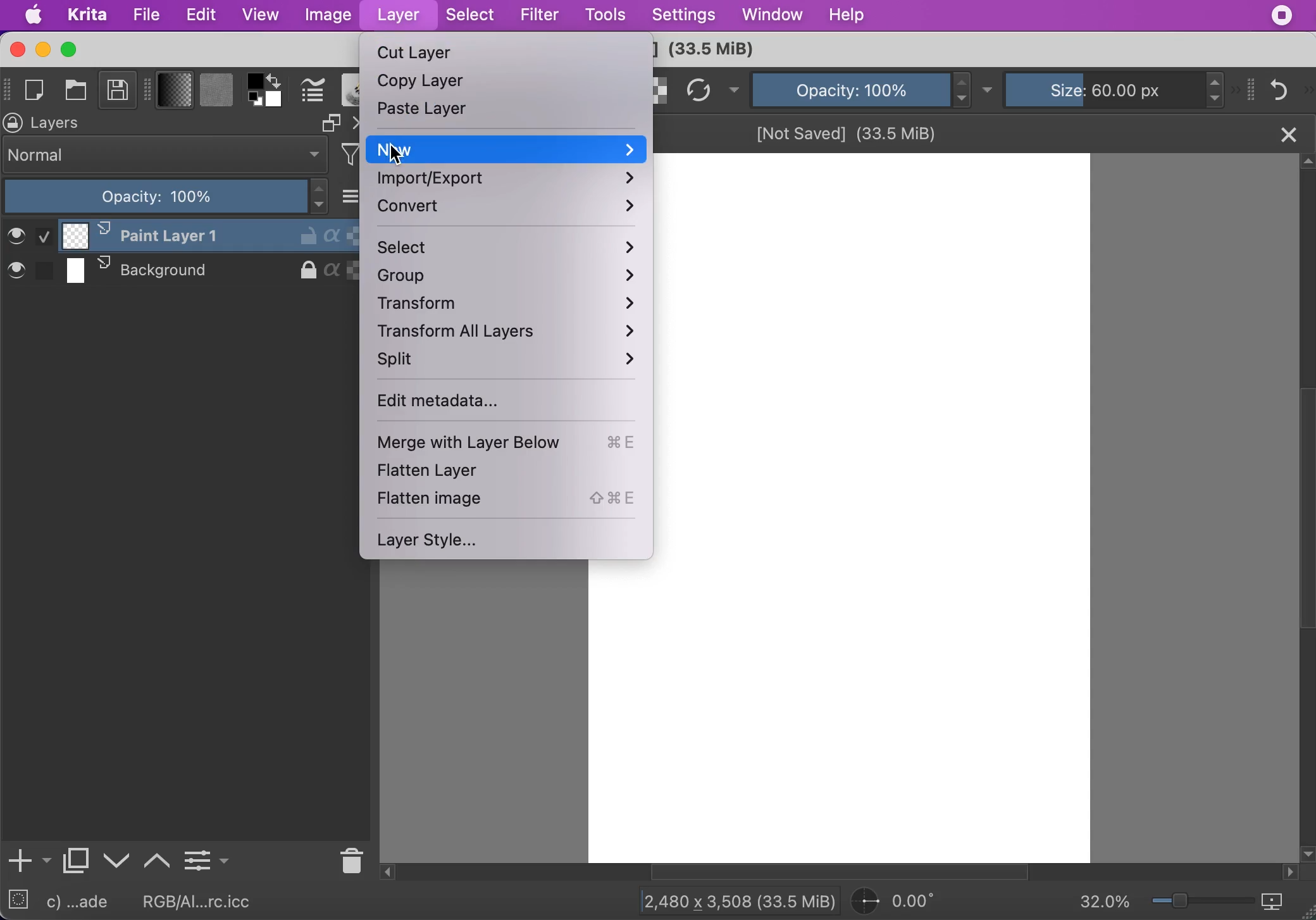 This screenshot has height=920, width=1316. Describe the element at coordinates (18, 902) in the screenshot. I see `no selection` at that location.